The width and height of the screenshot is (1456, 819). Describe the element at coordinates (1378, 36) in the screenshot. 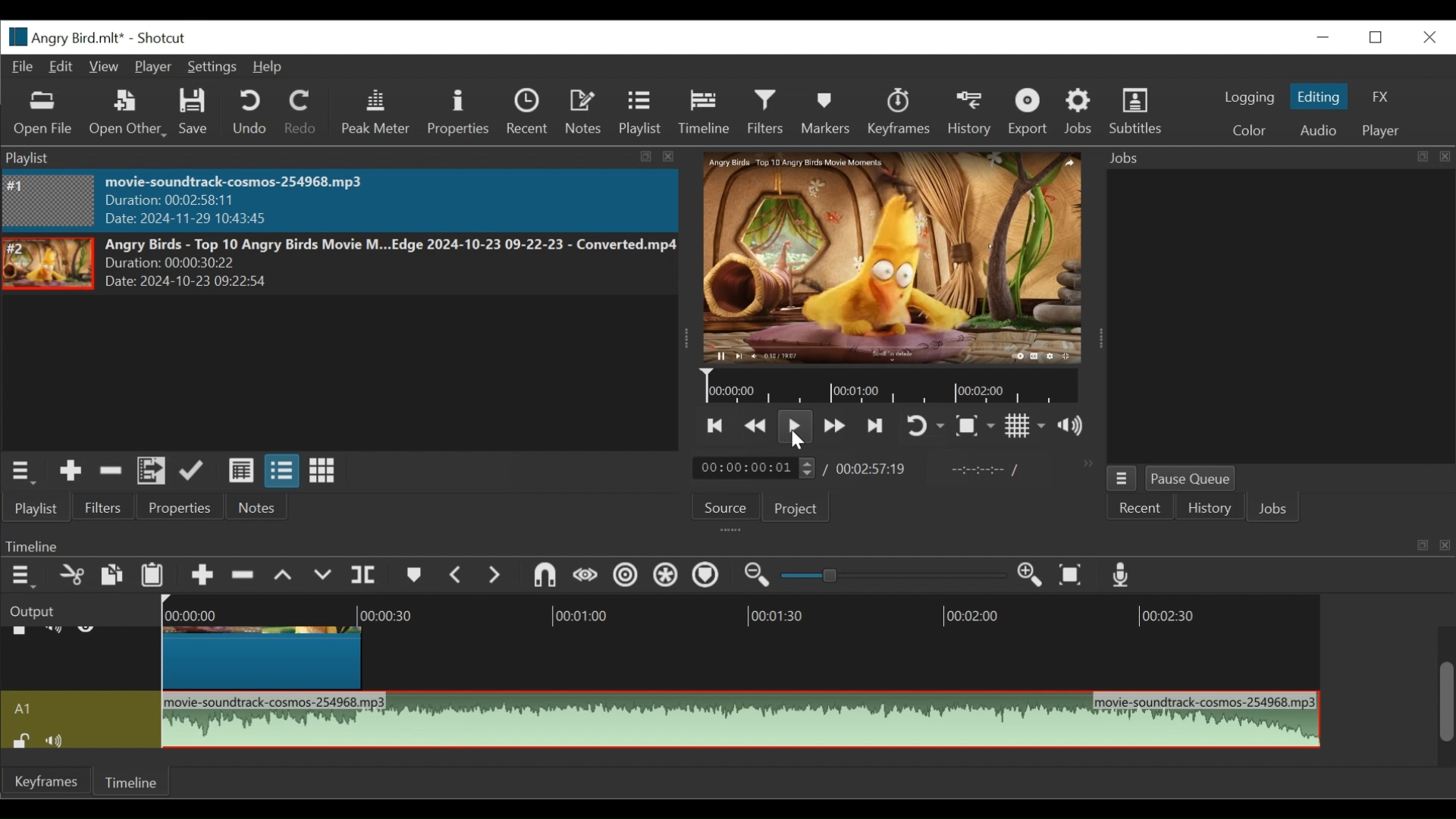

I see `Restore` at that location.